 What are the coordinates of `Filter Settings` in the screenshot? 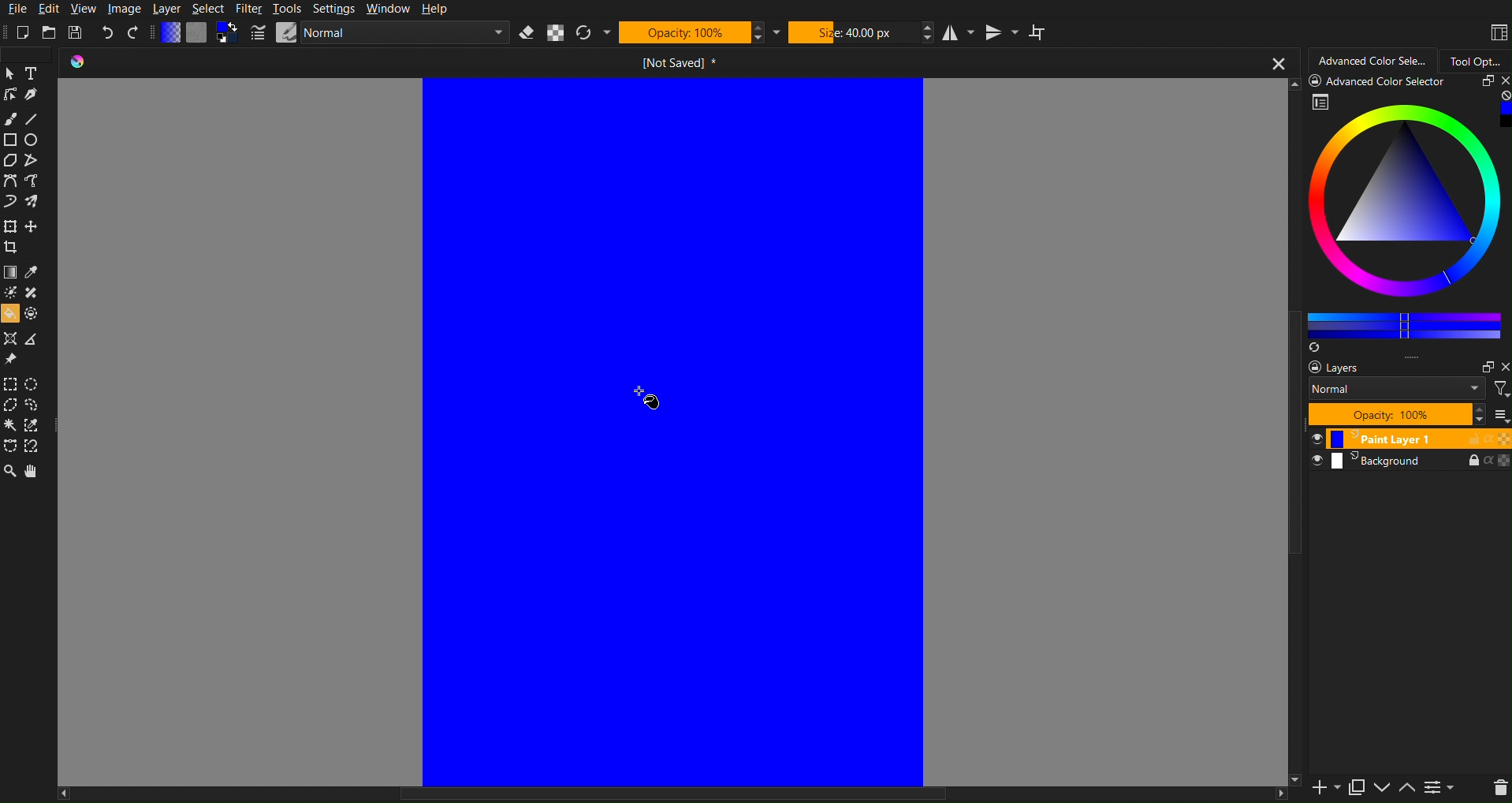 It's located at (1439, 787).